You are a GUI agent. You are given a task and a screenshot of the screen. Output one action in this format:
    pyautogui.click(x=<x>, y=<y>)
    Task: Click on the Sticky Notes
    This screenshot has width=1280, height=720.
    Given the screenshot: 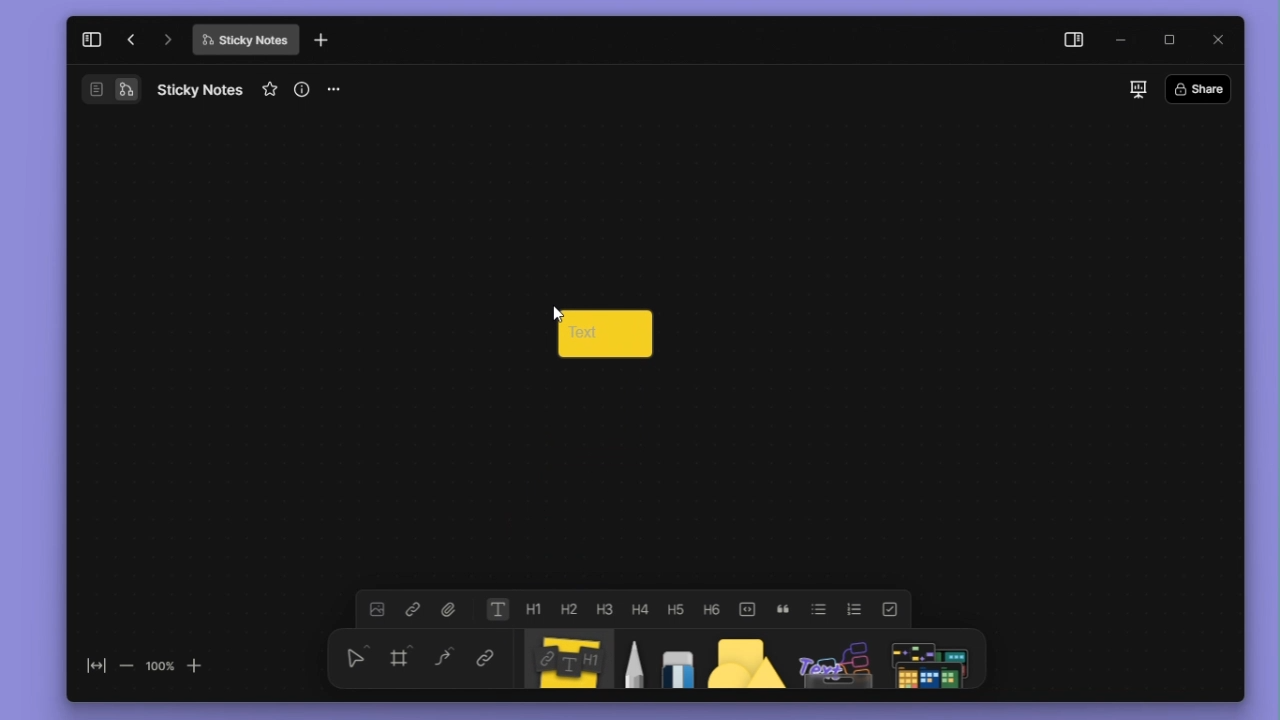 What is the action you would take?
    pyautogui.click(x=204, y=89)
    